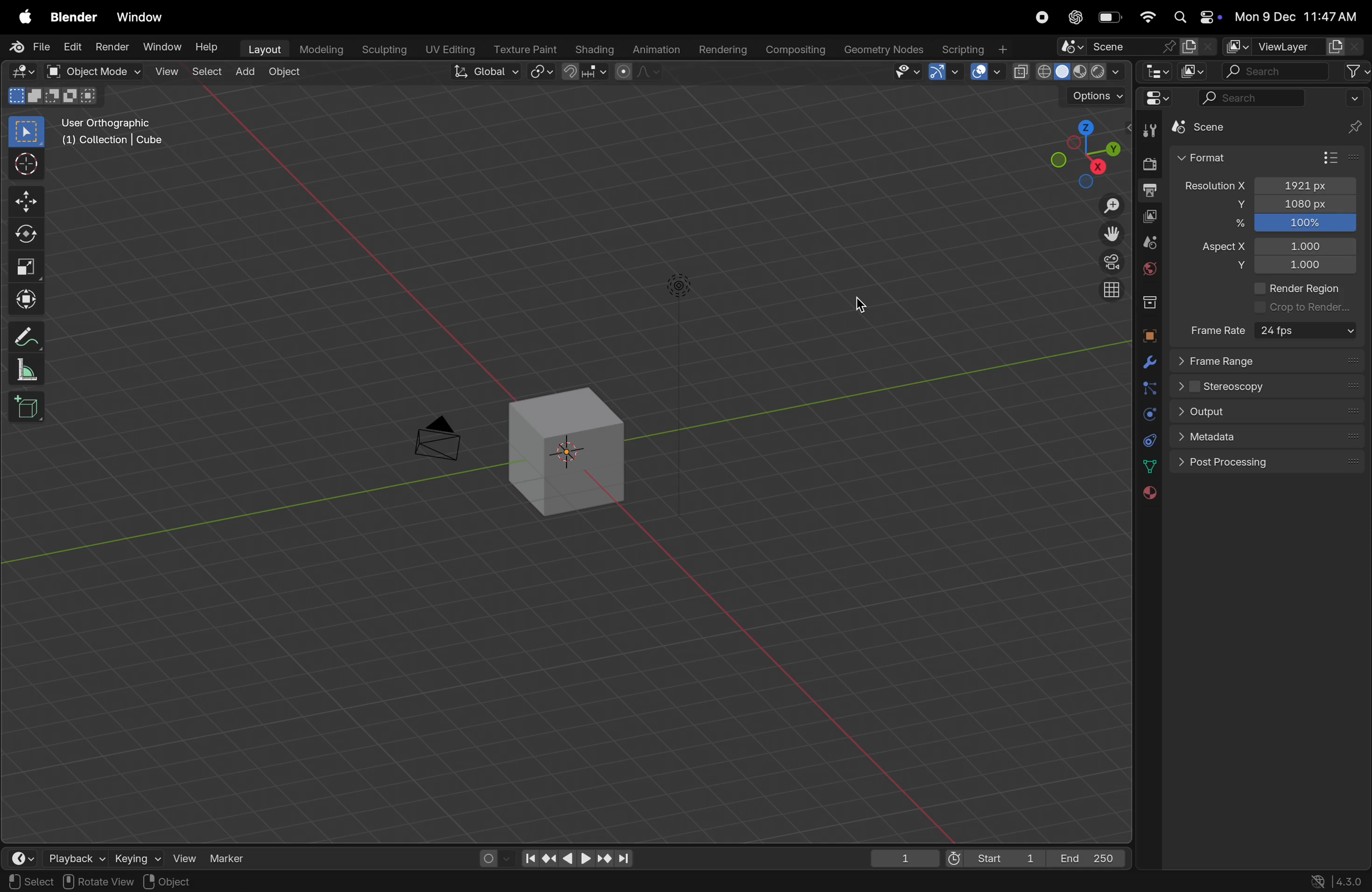  I want to click on Sculpting, so click(381, 49).